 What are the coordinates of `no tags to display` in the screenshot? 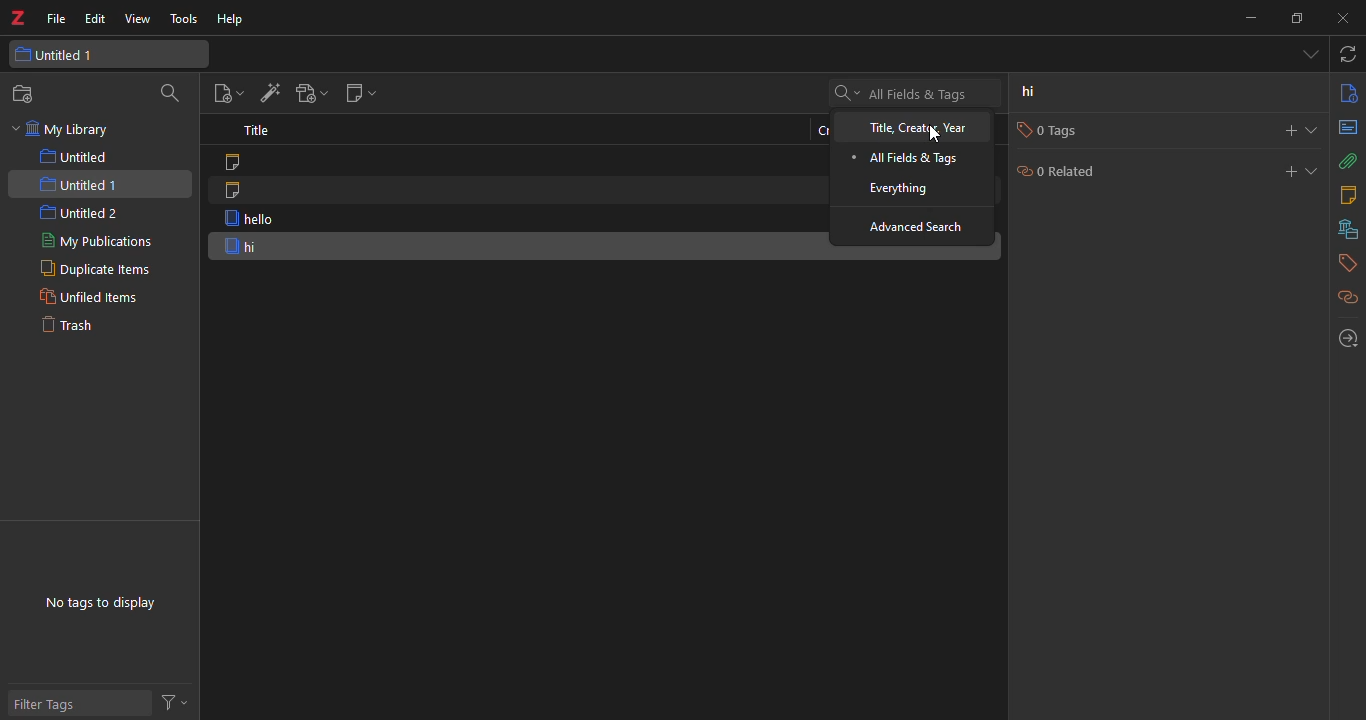 It's located at (100, 604).